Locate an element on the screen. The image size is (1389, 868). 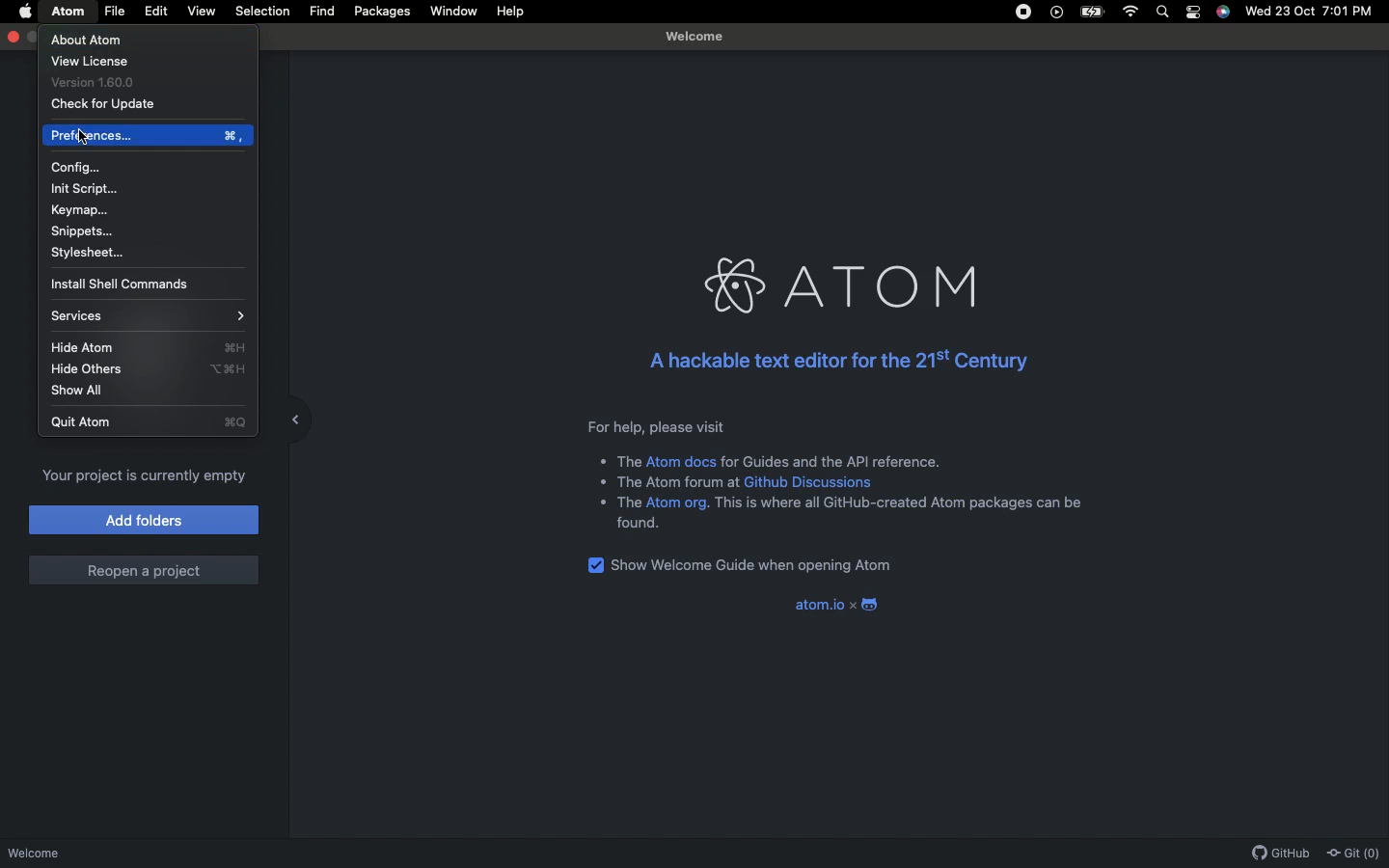
Init script is located at coordinates (86, 190).